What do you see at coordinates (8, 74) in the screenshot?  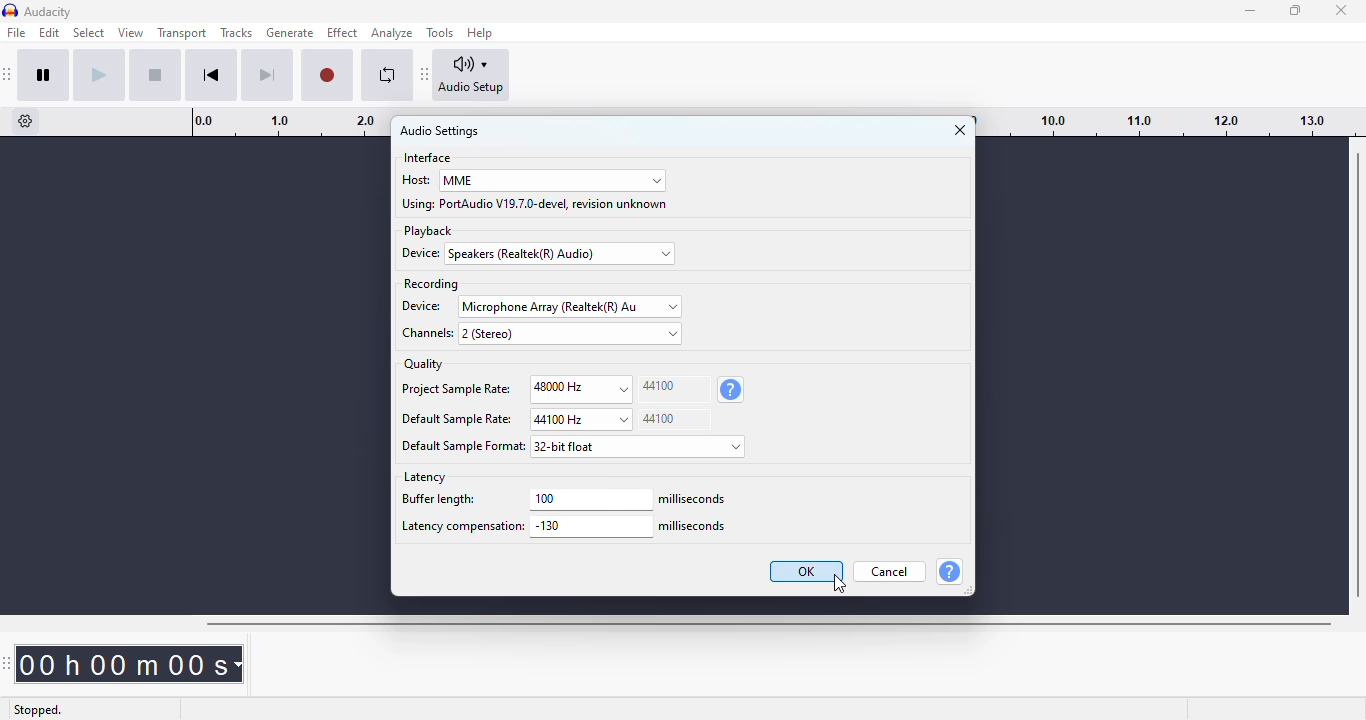 I see `audacity transport toolbar` at bounding box center [8, 74].